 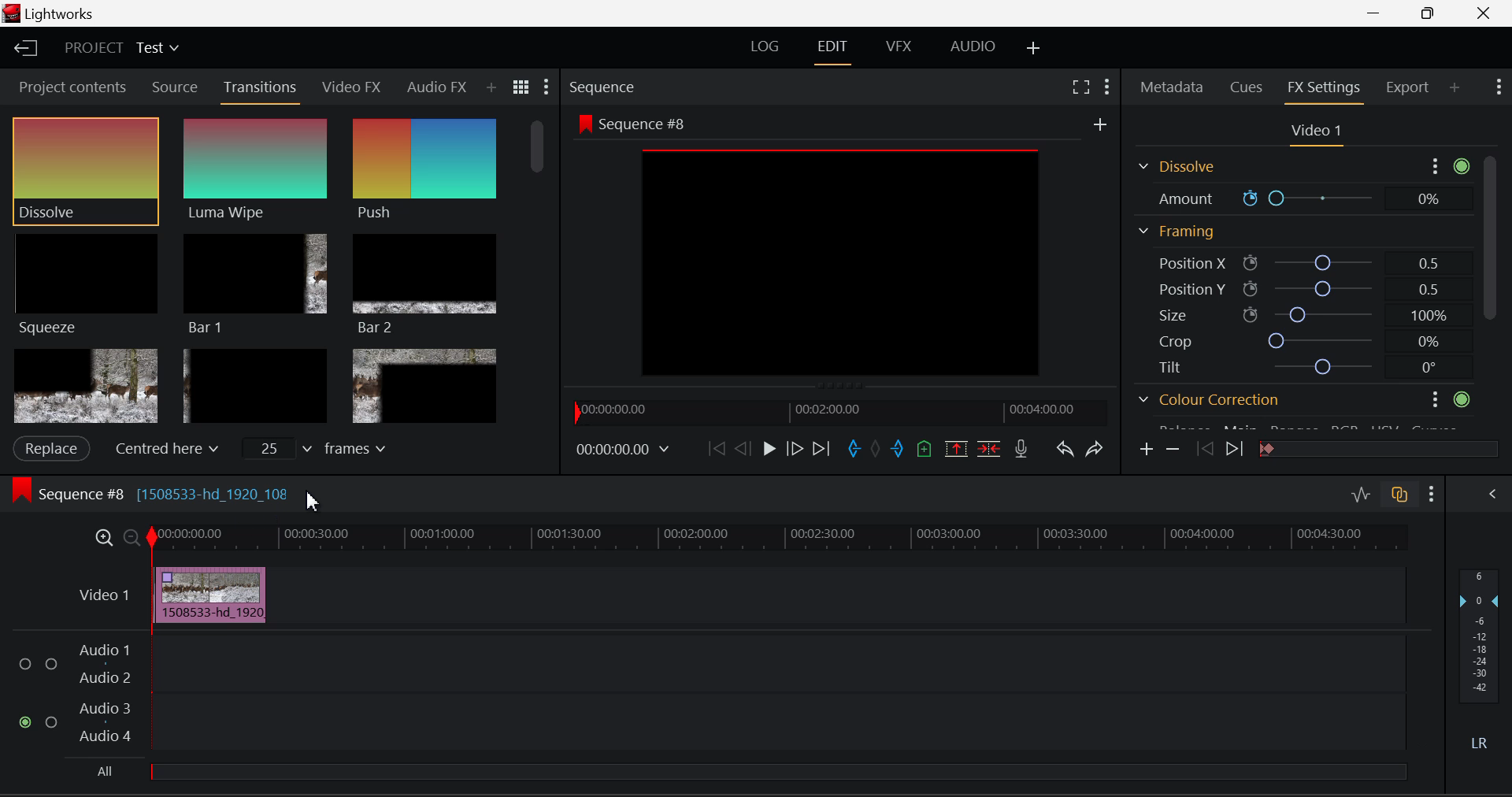 What do you see at coordinates (448, 86) in the screenshot?
I see `Next Panel` at bounding box center [448, 86].